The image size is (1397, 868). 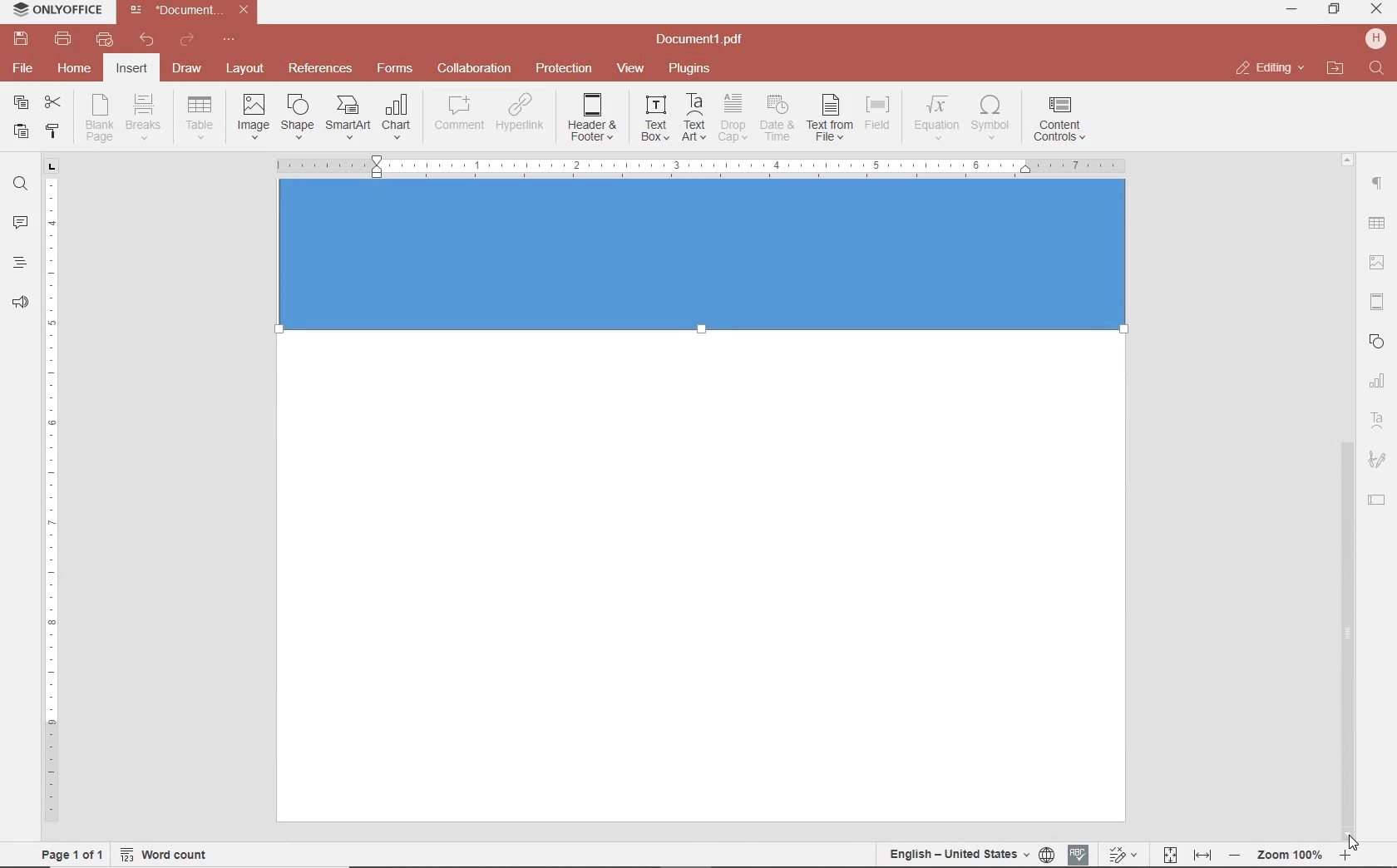 What do you see at coordinates (254, 116) in the screenshot?
I see `INSERT IMAGES` at bounding box center [254, 116].